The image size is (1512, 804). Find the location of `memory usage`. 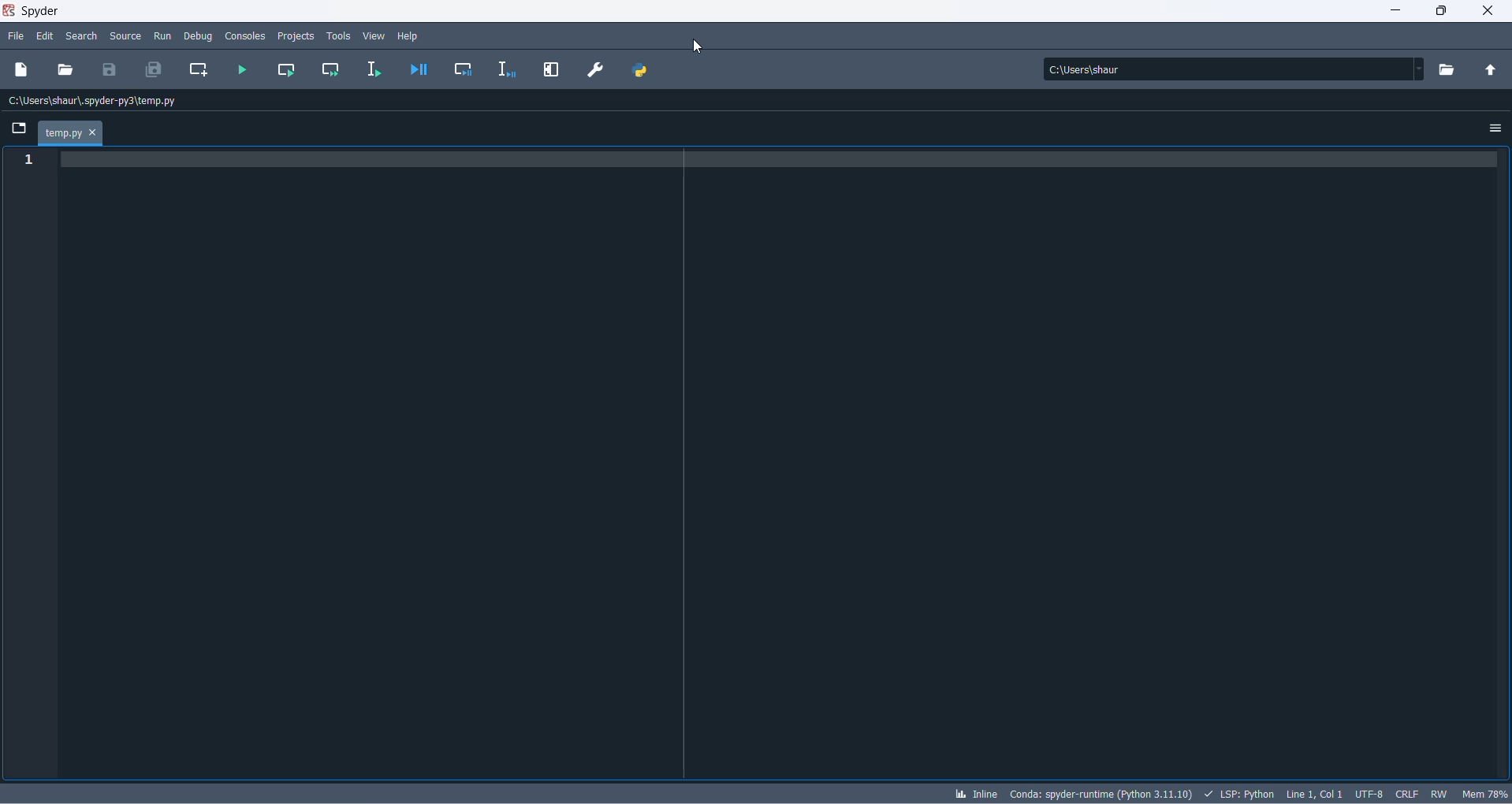

memory usage is located at coordinates (1487, 794).